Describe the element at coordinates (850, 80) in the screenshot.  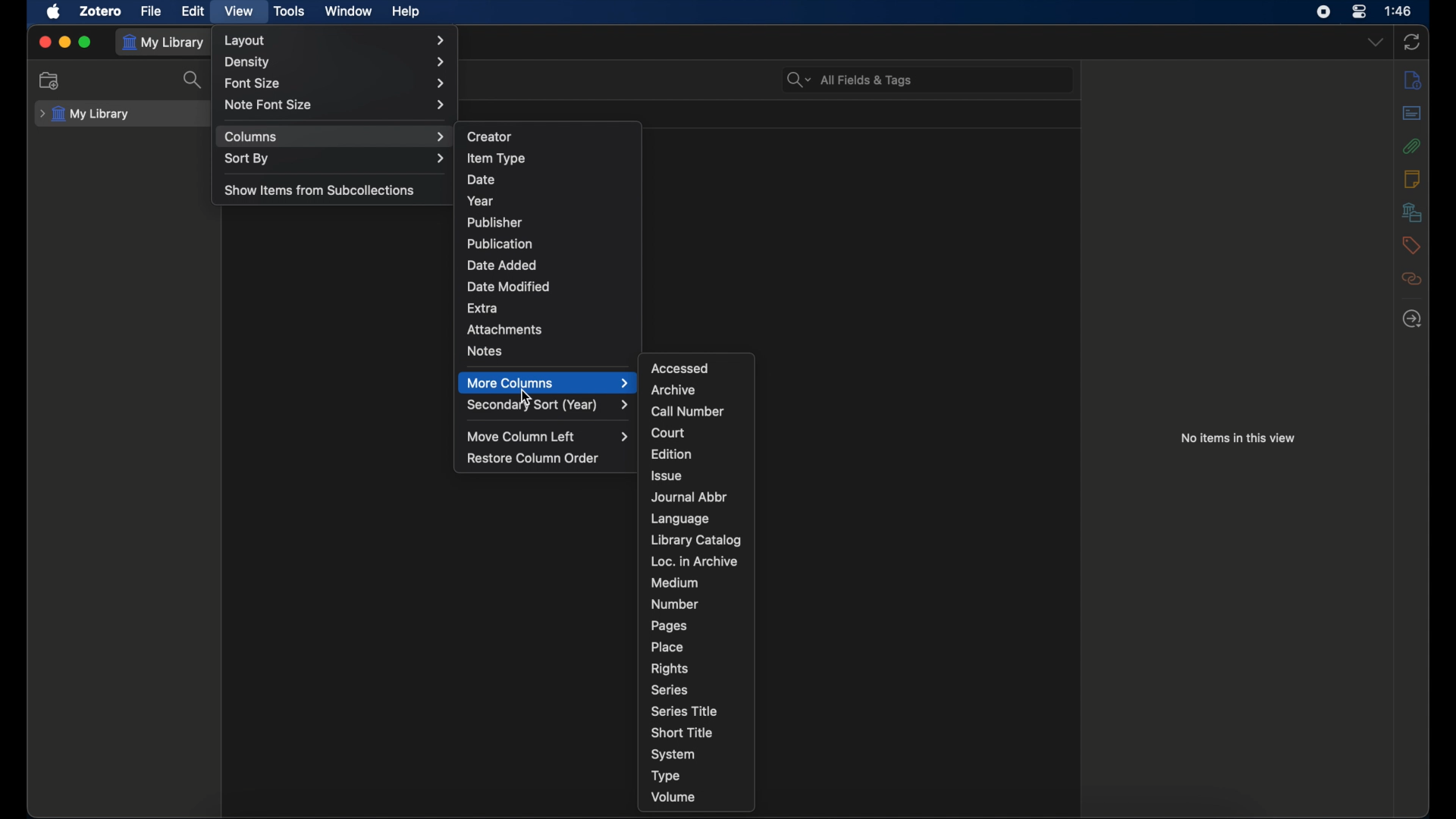
I see `All fields & tags` at that location.